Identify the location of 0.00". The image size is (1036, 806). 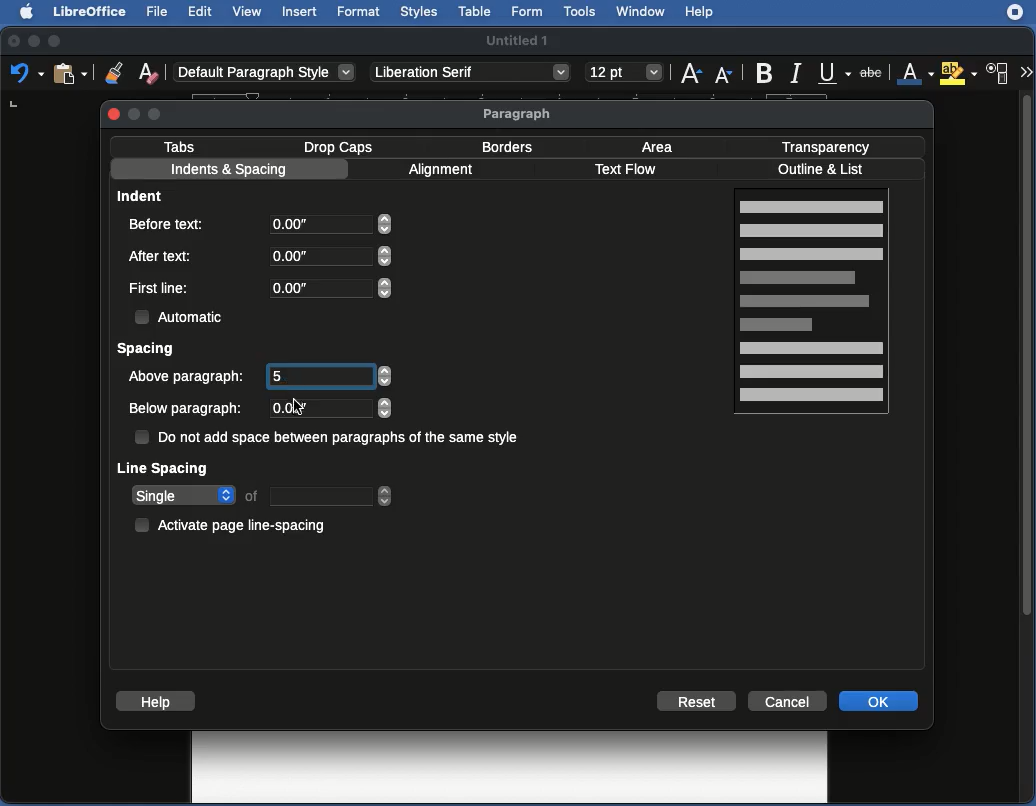
(328, 256).